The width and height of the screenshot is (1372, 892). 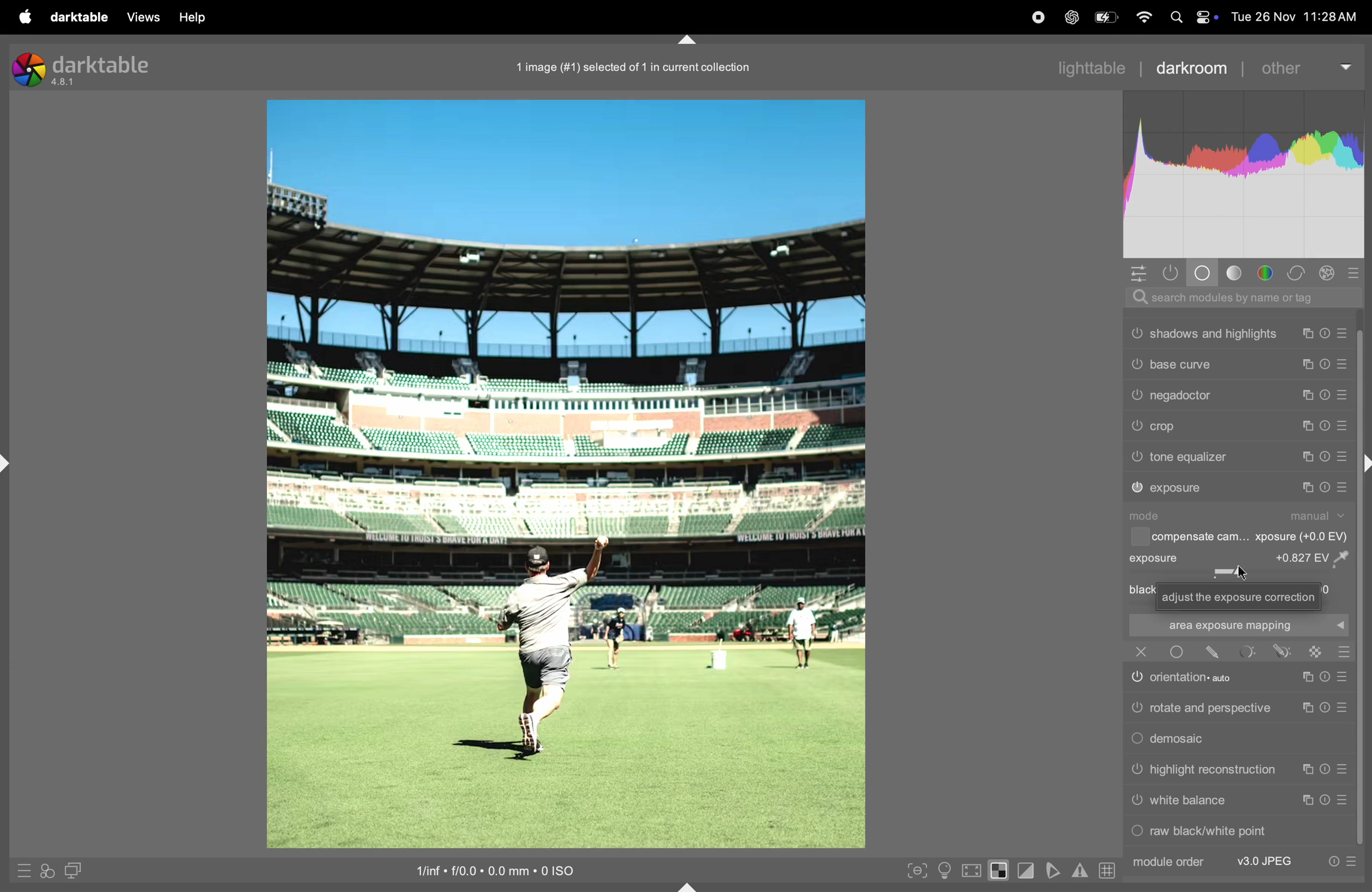 What do you see at coordinates (1136, 363) in the screenshot?
I see `Switch on or off` at bounding box center [1136, 363].